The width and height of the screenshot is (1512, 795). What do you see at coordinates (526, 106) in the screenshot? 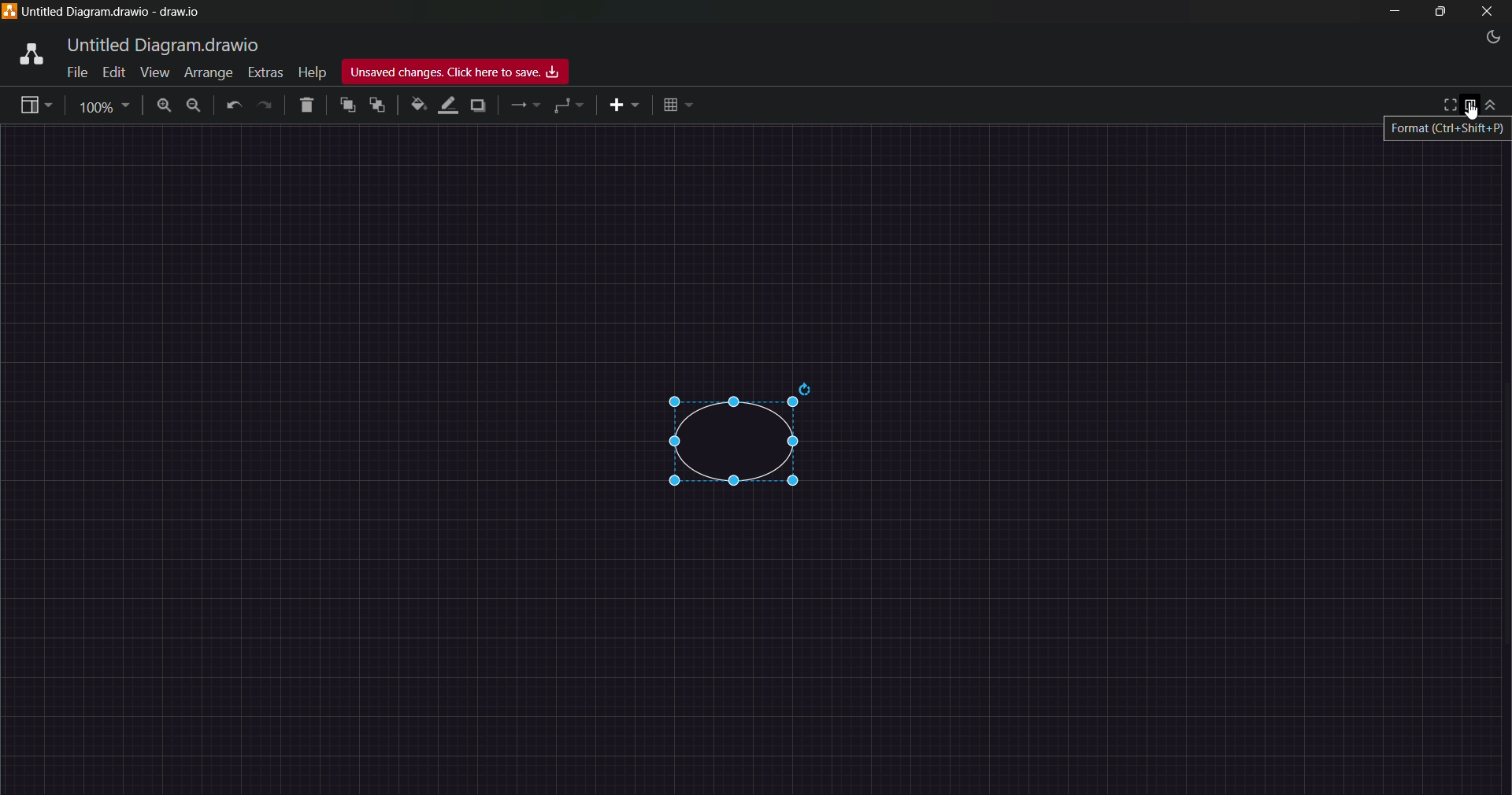
I see `connections` at bounding box center [526, 106].